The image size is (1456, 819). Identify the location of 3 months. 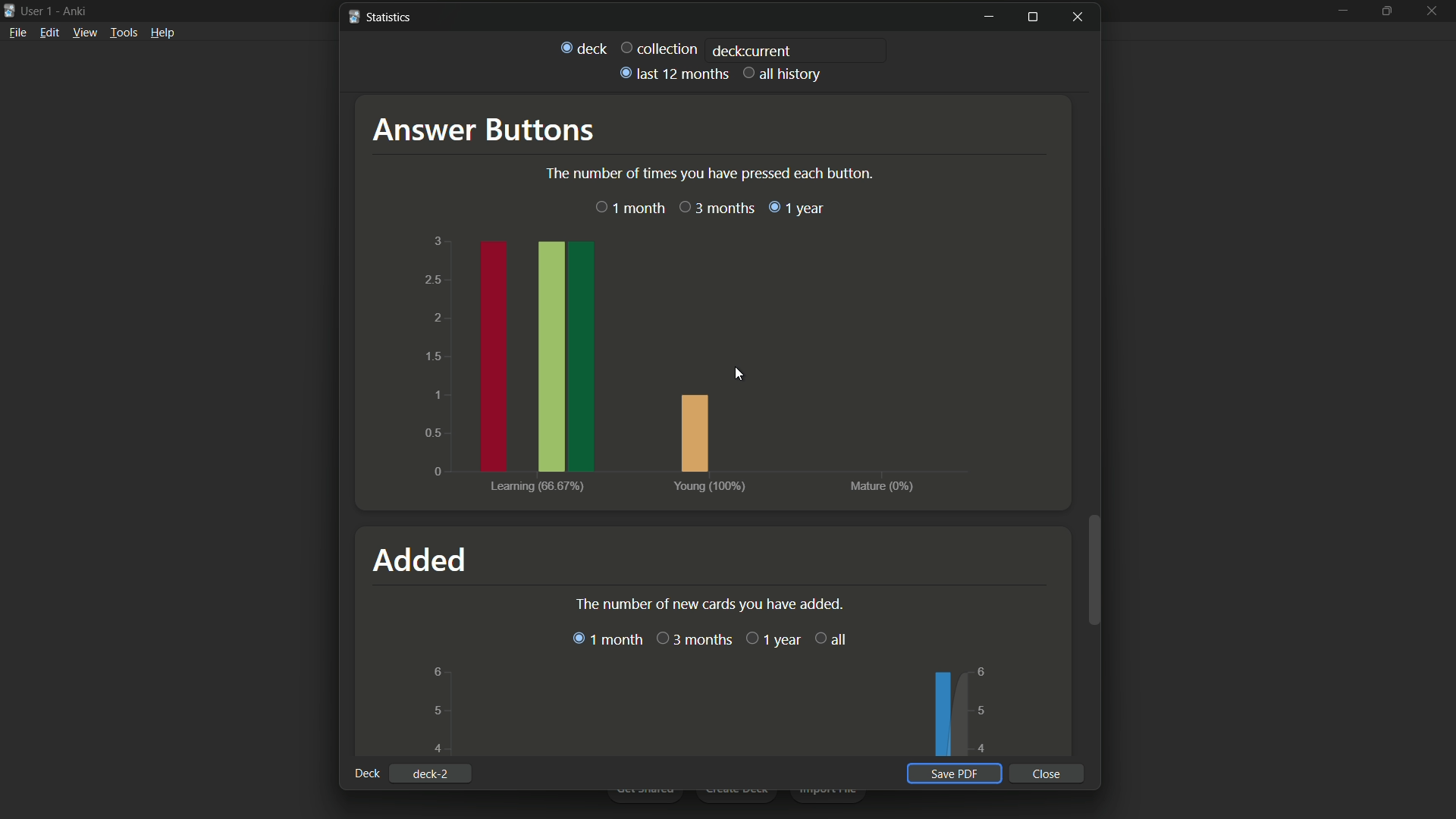
(717, 206).